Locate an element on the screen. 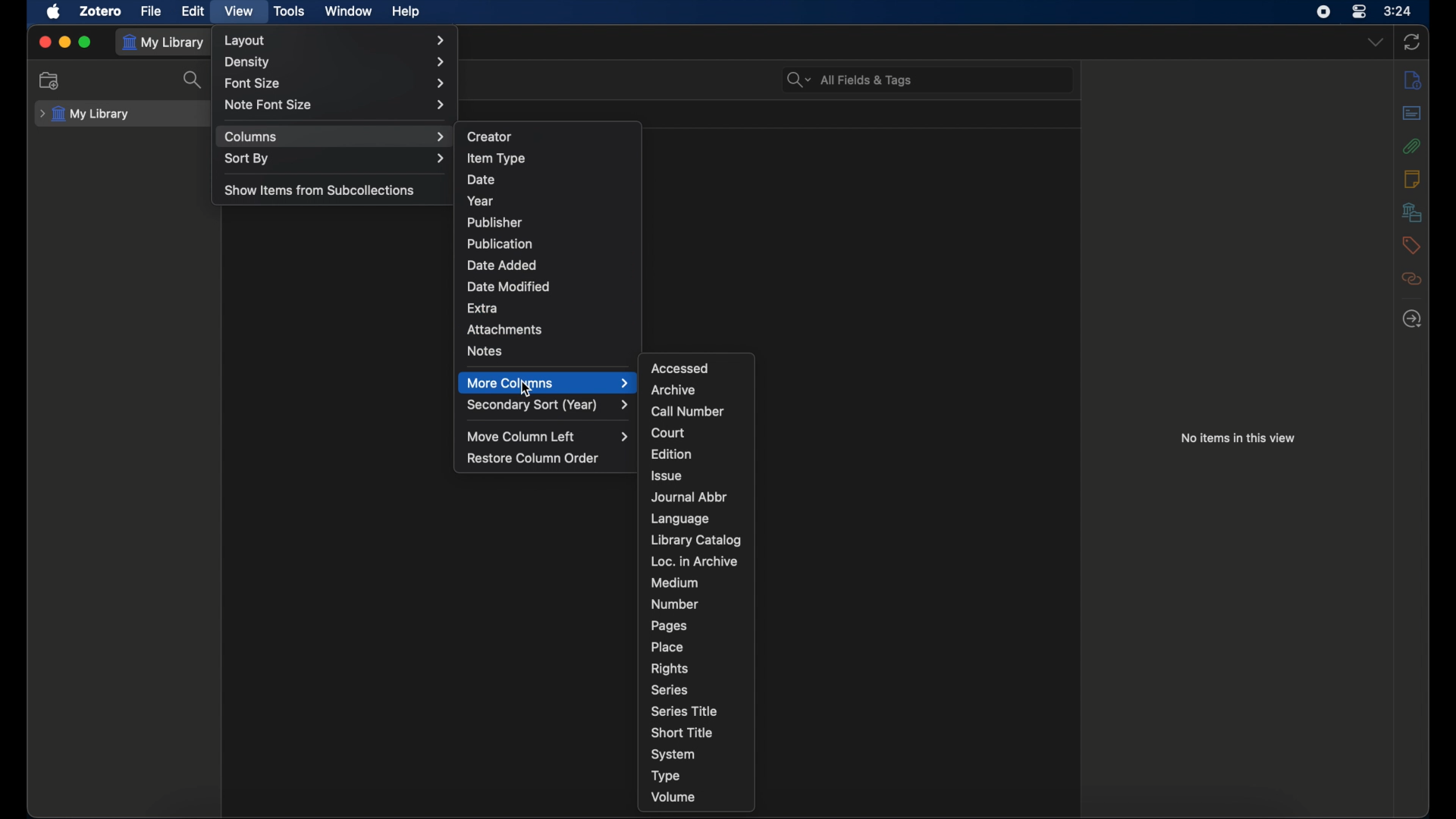  new collection is located at coordinates (51, 81).